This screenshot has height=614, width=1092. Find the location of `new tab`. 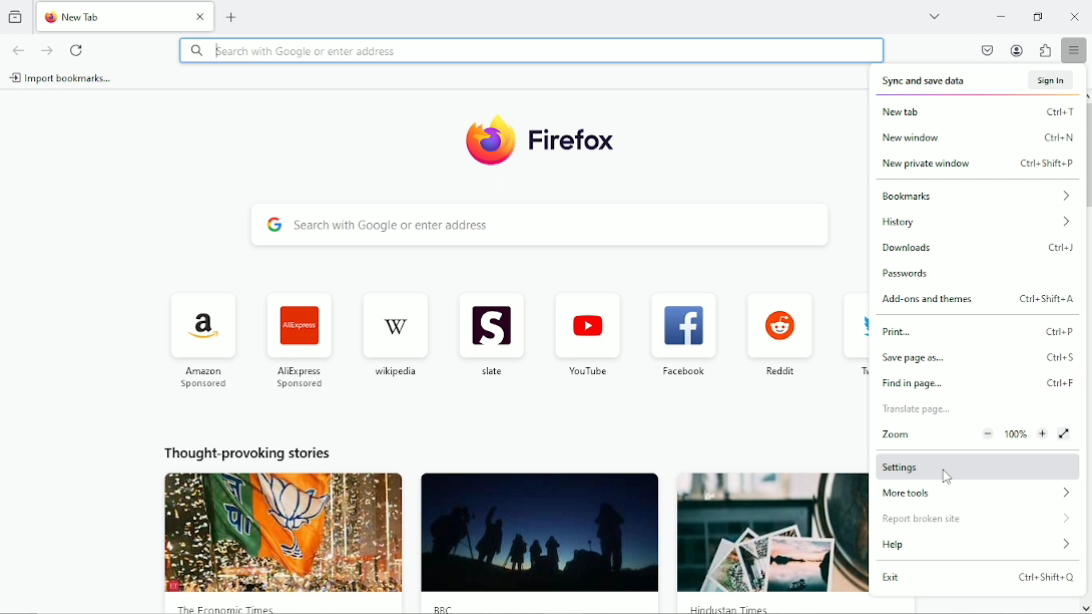

new tab is located at coordinates (980, 111).